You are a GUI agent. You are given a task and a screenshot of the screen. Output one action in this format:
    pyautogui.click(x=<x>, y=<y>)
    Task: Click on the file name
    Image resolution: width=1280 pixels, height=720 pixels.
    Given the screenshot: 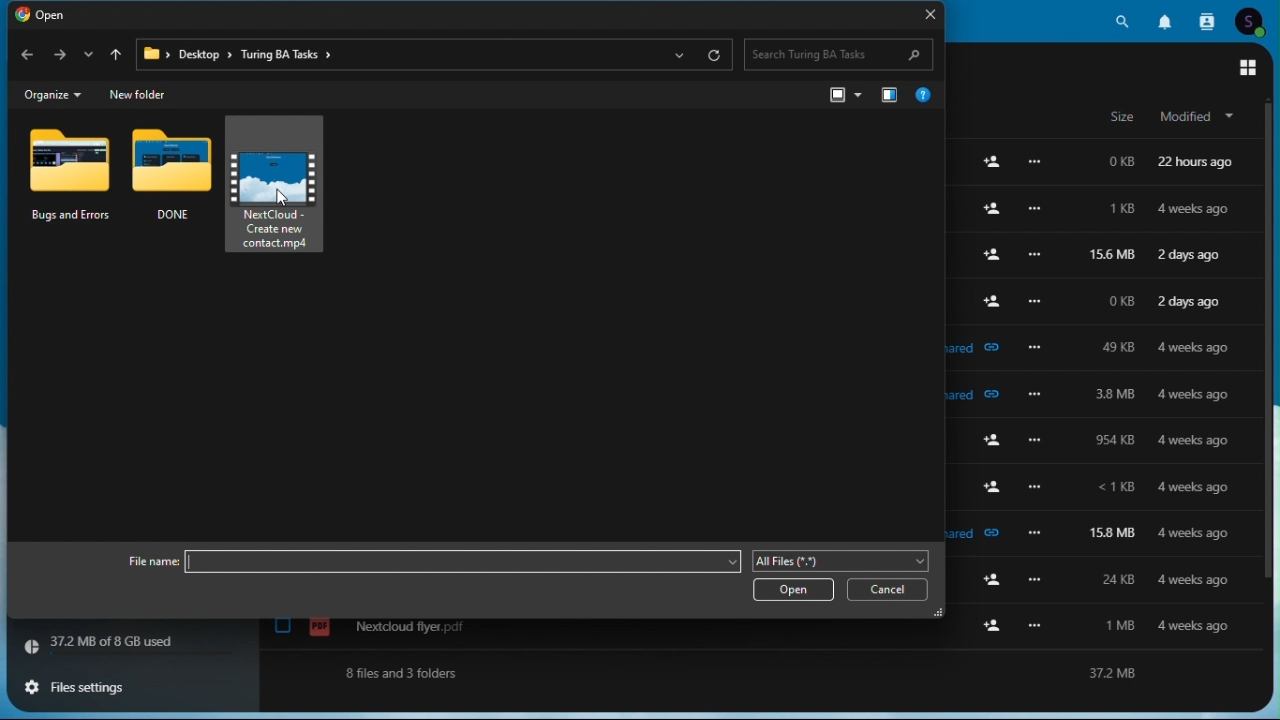 What is the action you would take?
    pyautogui.click(x=432, y=562)
    